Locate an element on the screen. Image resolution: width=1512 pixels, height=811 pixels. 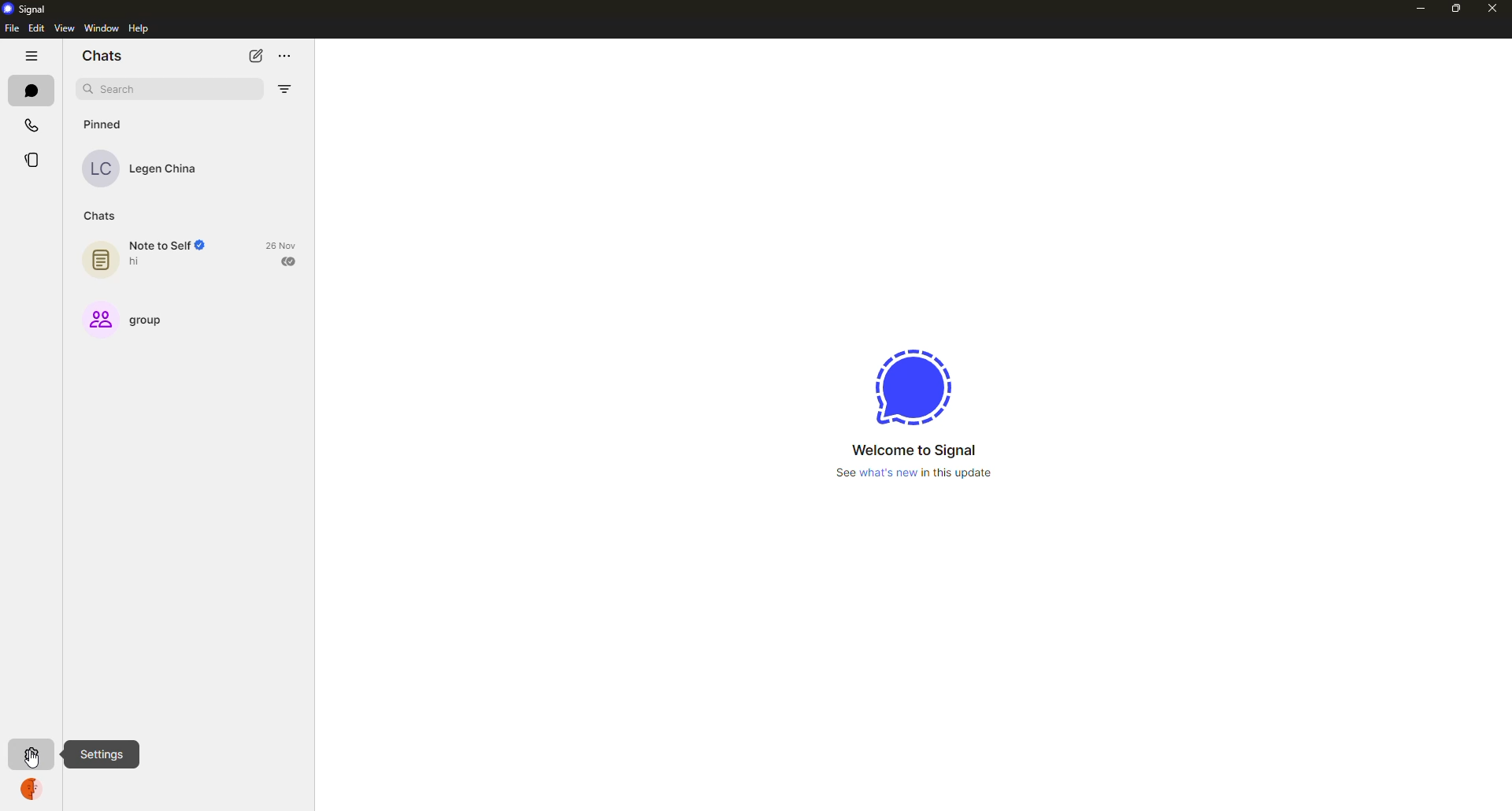
window is located at coordinates (97, 29).